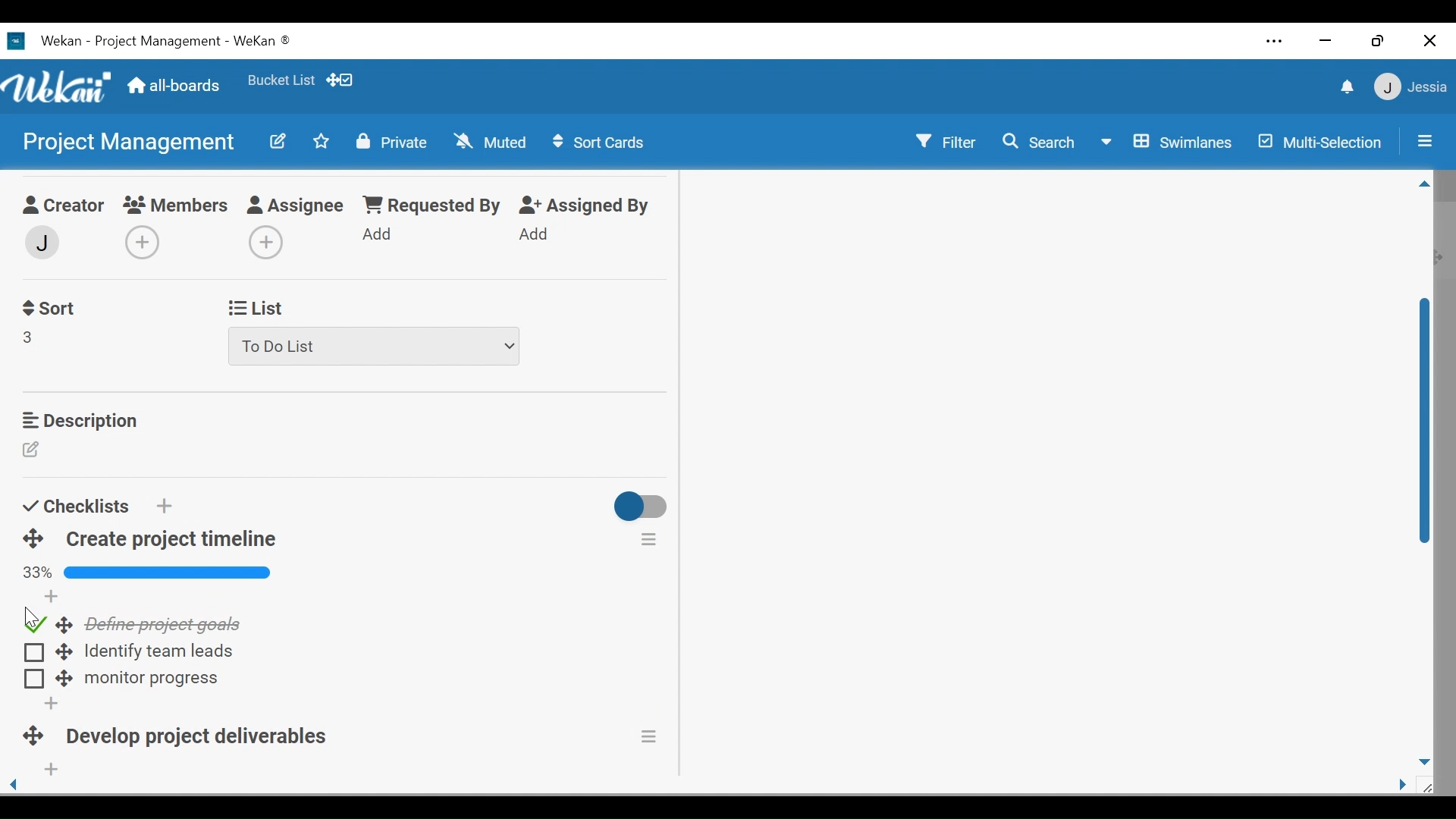  Describe the element at coordinates (375, 347) in the screenshot. I see `List dropdown menu` at that location.